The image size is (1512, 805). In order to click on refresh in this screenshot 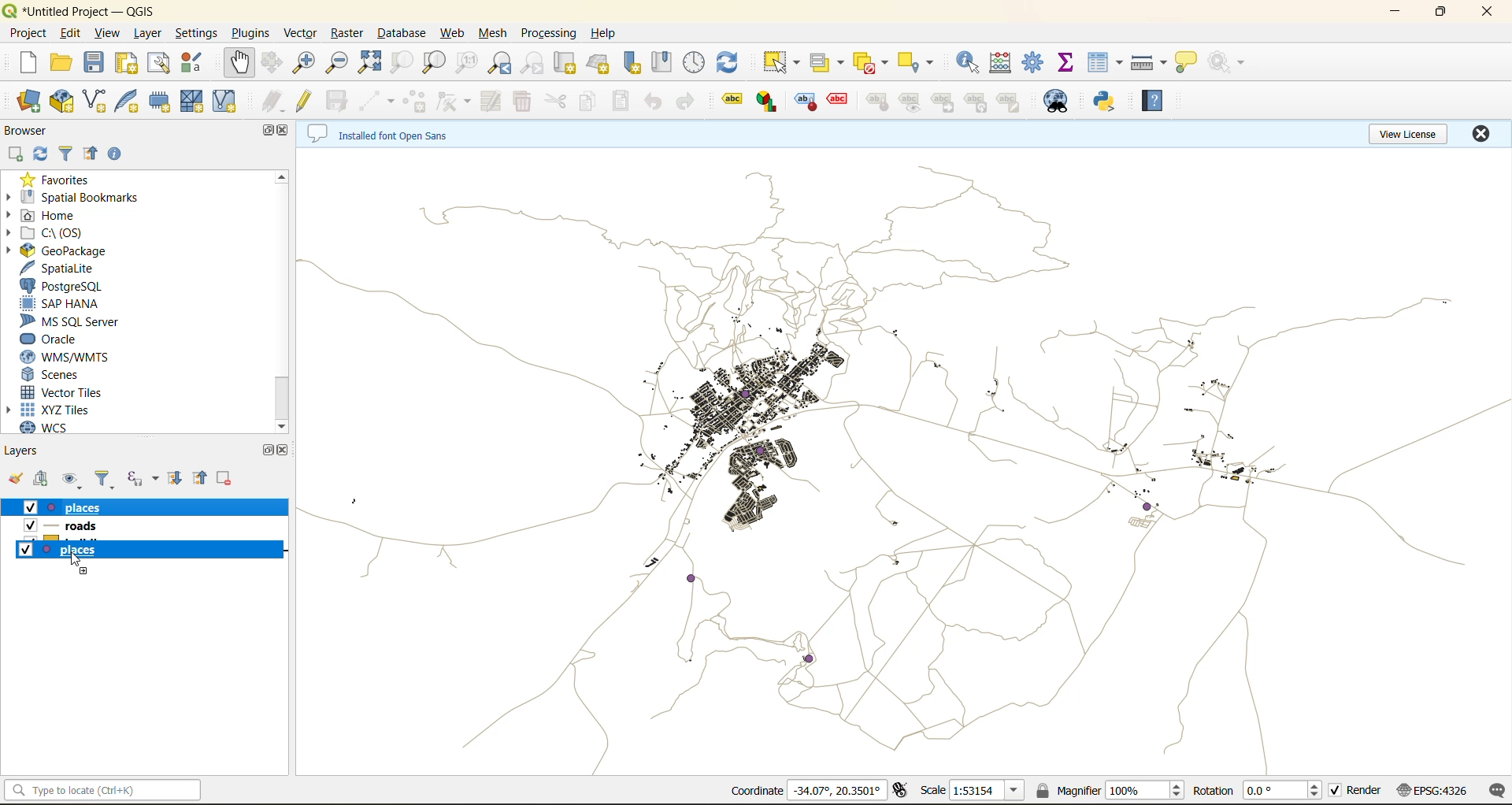, I will do `click(730, 61)`.